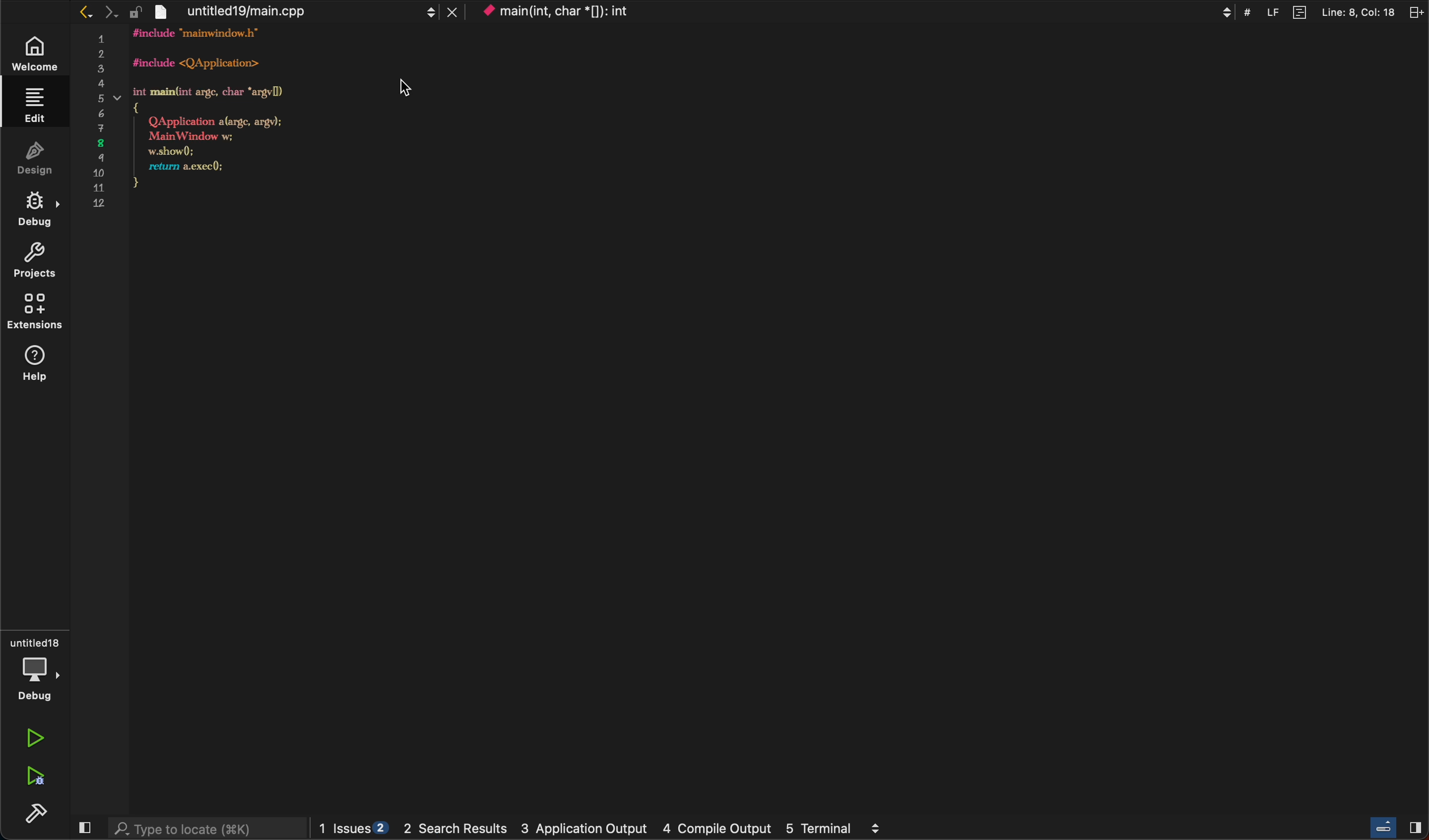 The image size is (1429, 840). Describe the element at coordinates (35, 262) in the screenshot. I see `projects` at that location.